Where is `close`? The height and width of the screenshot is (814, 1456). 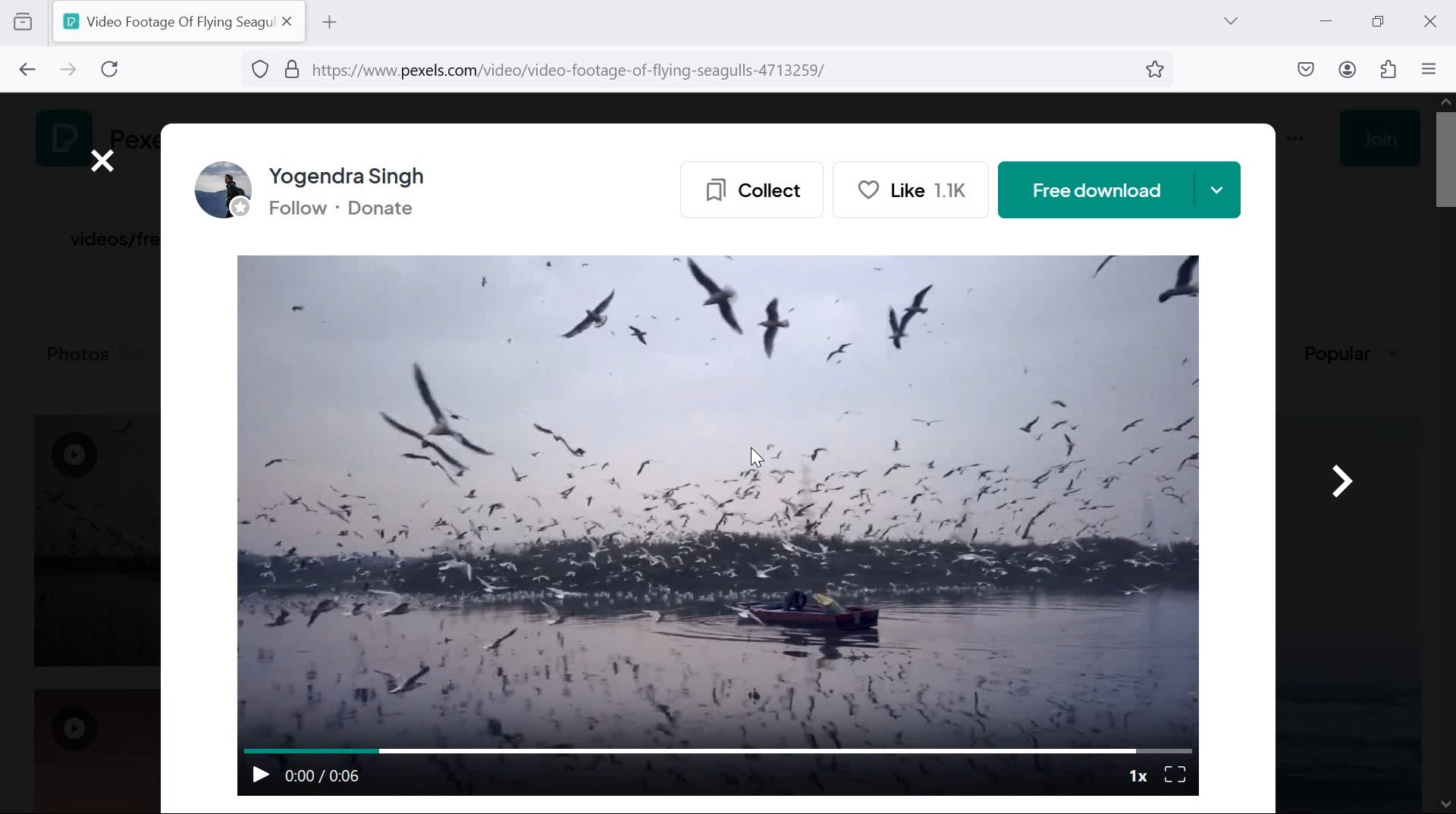 close is located at coordinates (103, 161).